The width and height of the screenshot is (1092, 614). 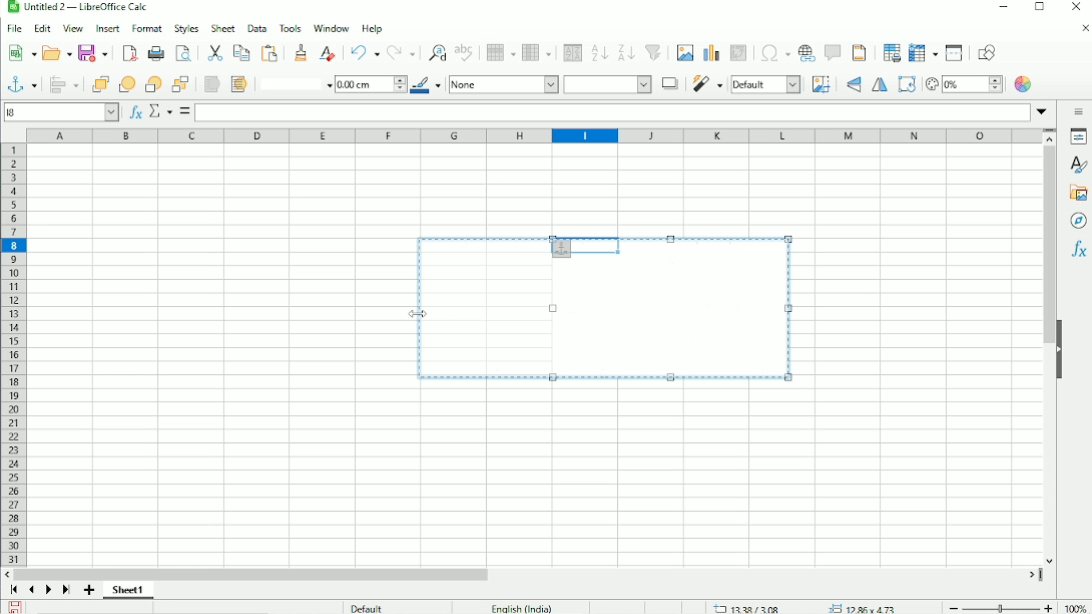 I want to click on Flip horizontally, so click(x=880, y=86).